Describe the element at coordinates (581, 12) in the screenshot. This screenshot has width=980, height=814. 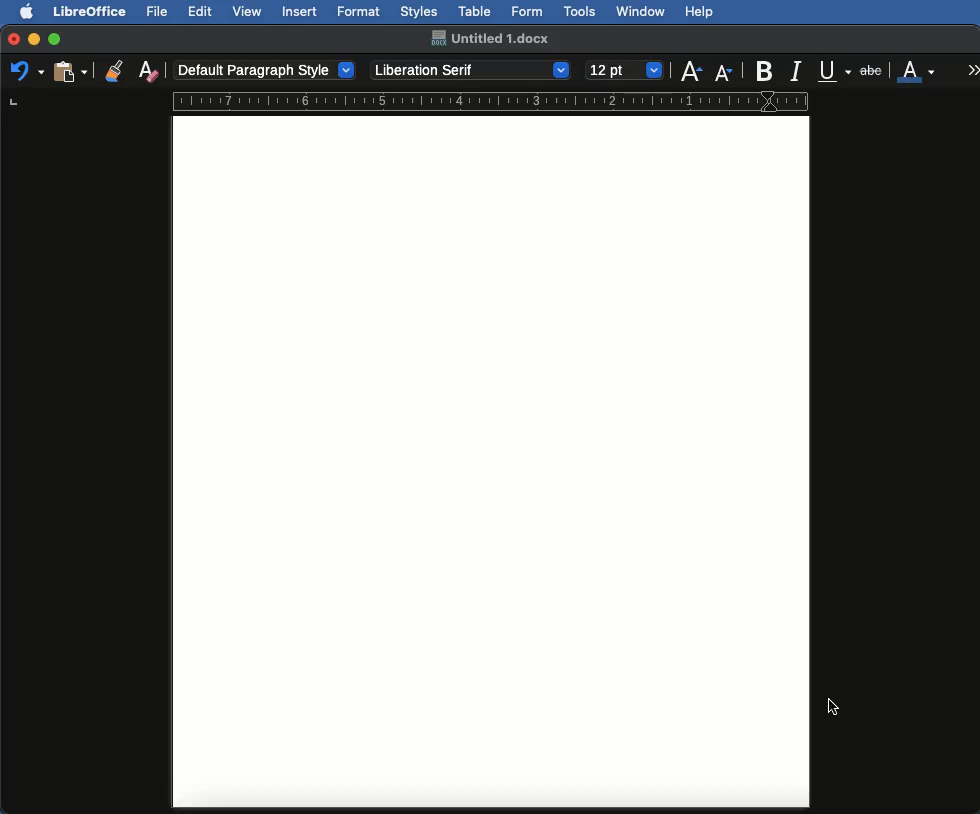
I see `Tools` at that location.